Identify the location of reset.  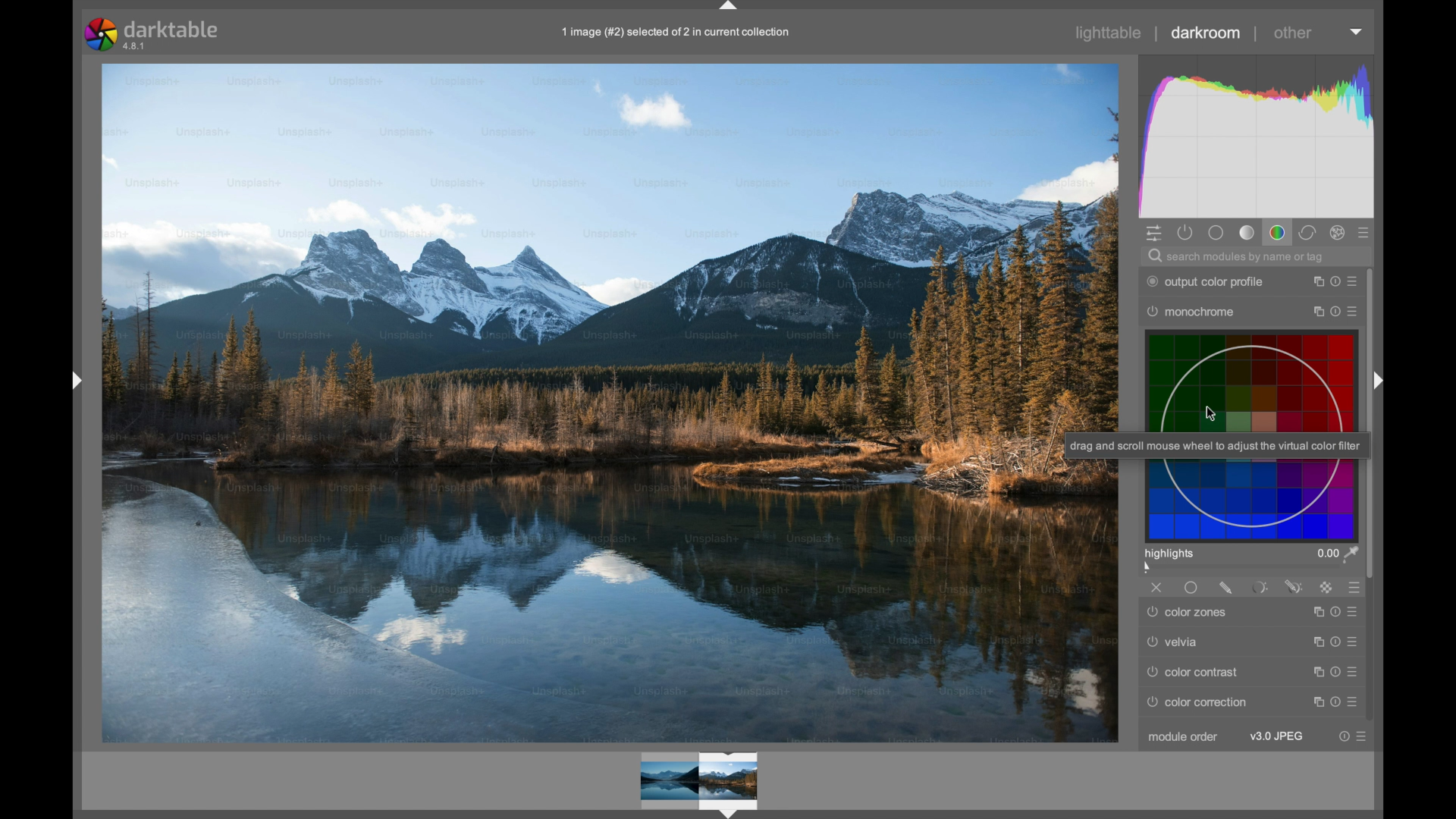
(1336, 671).